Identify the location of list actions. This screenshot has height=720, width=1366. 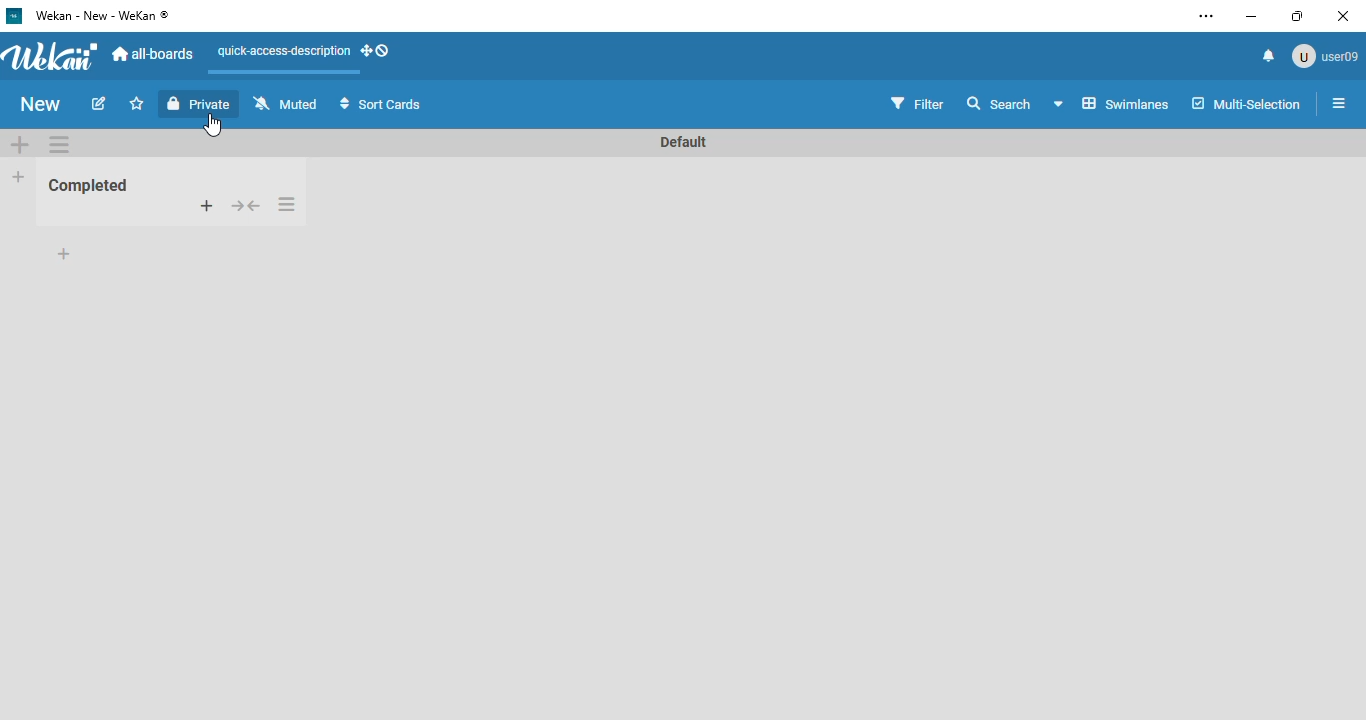
(286, 203).